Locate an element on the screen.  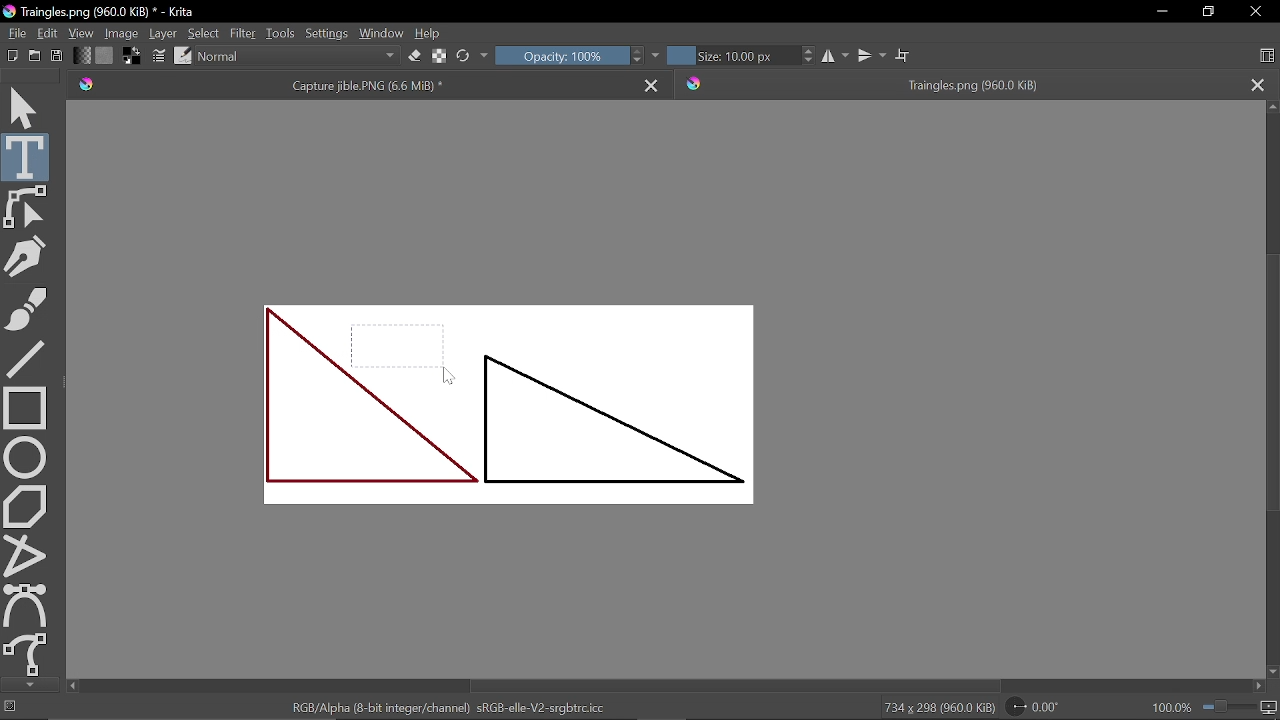
Foreground color is located at coordinates (133, 57).